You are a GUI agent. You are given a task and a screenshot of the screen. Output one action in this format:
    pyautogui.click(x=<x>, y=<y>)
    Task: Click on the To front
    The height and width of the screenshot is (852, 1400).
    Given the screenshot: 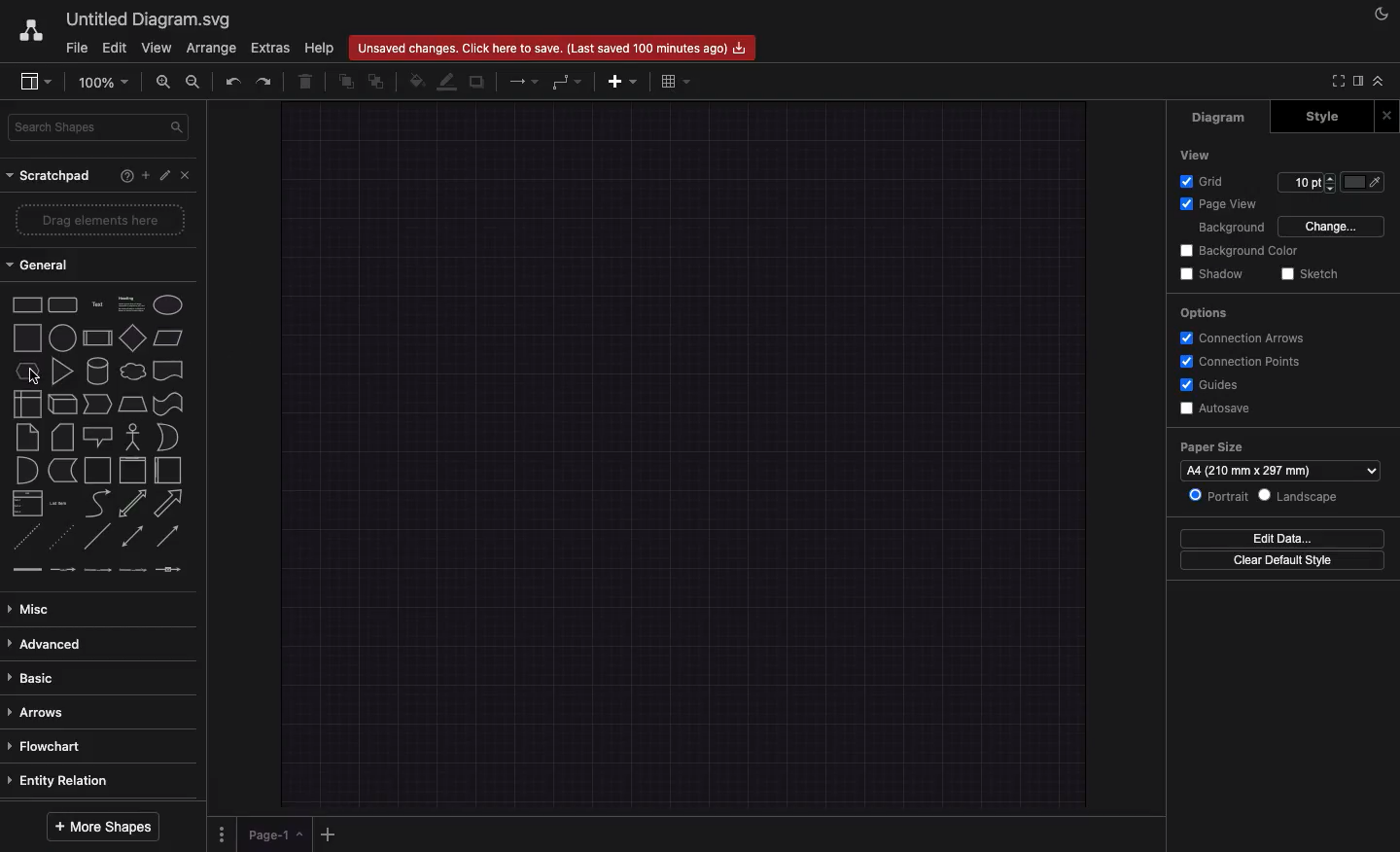 What is the action you would take?
    pyautogui.click(x=346, y=83)
    